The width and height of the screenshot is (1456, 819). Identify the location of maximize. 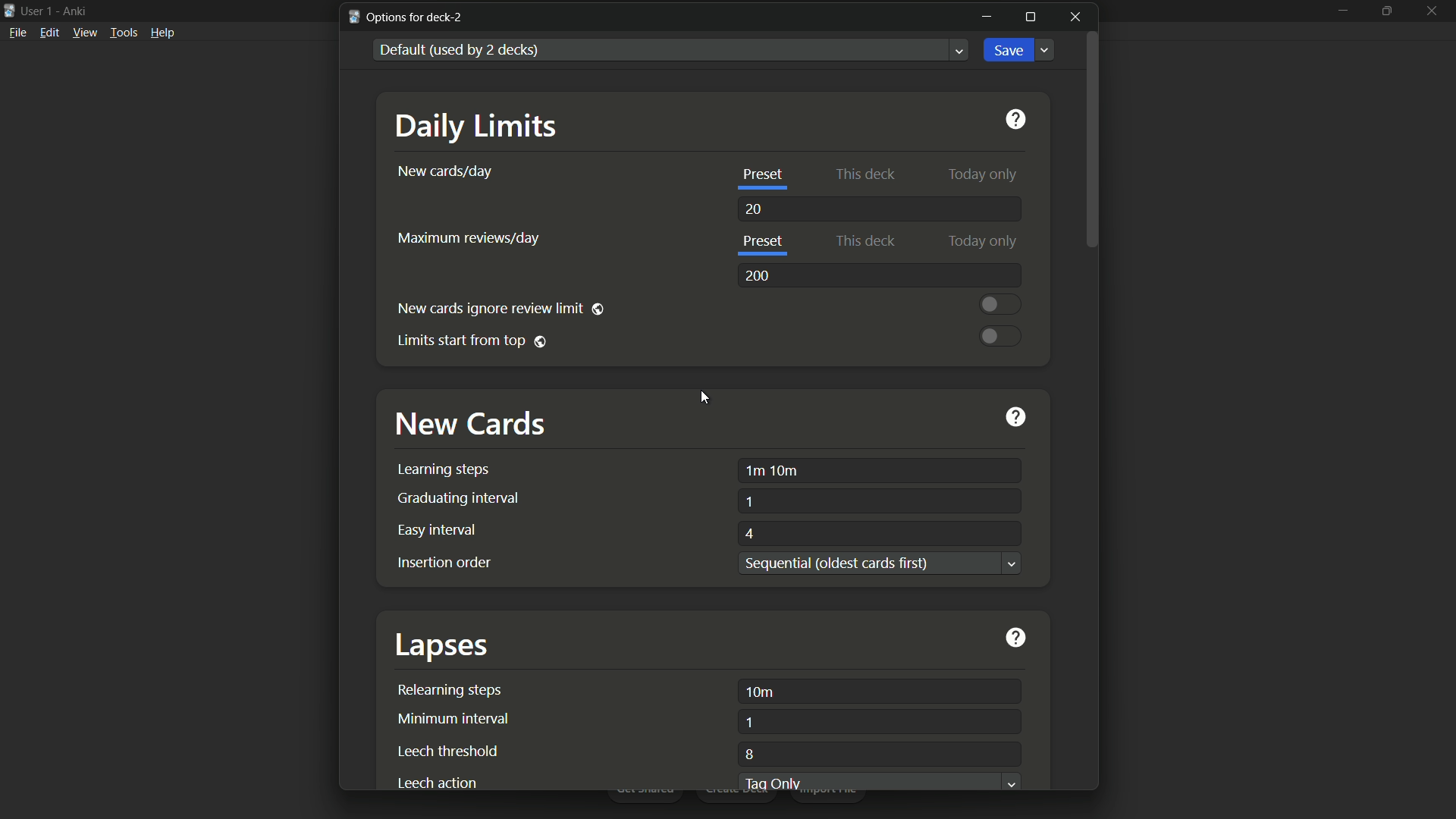
(1031, 18).